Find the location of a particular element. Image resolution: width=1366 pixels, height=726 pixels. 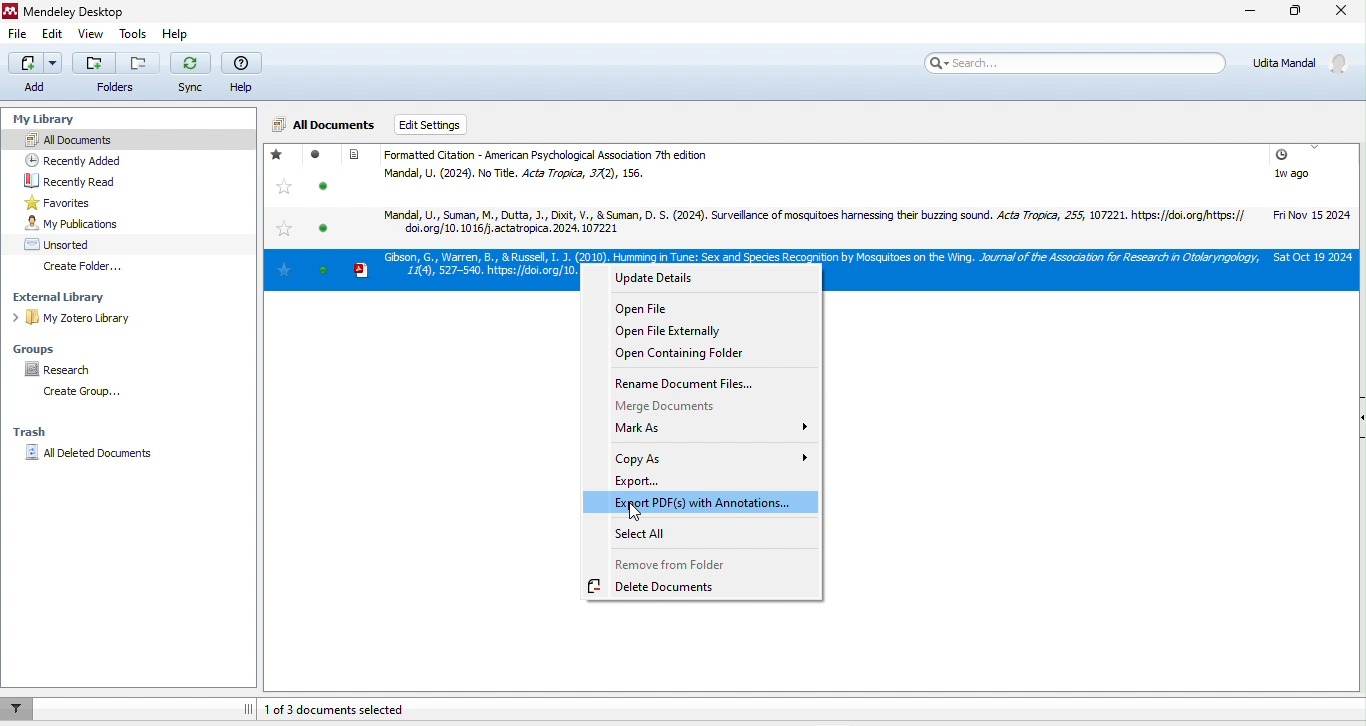

favourites is located at coordinates (80, 201).